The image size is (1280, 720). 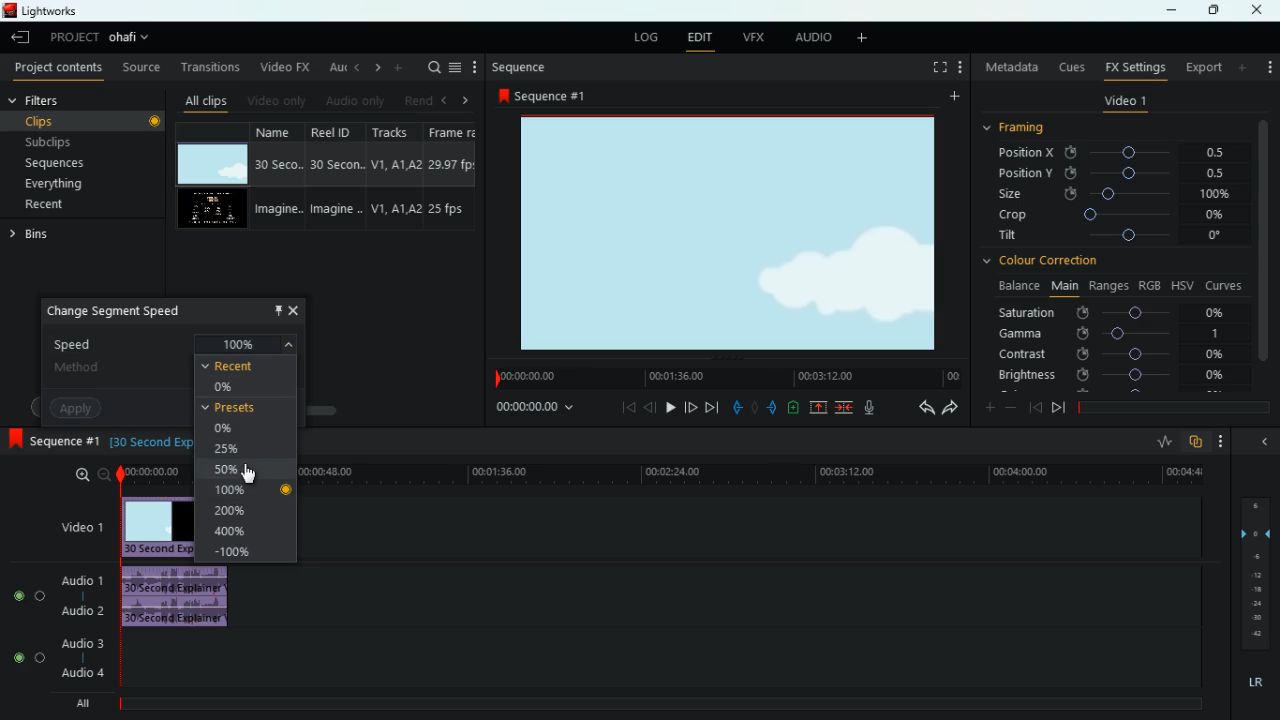 I want to click on gamma, so click(x=1118, y=332).